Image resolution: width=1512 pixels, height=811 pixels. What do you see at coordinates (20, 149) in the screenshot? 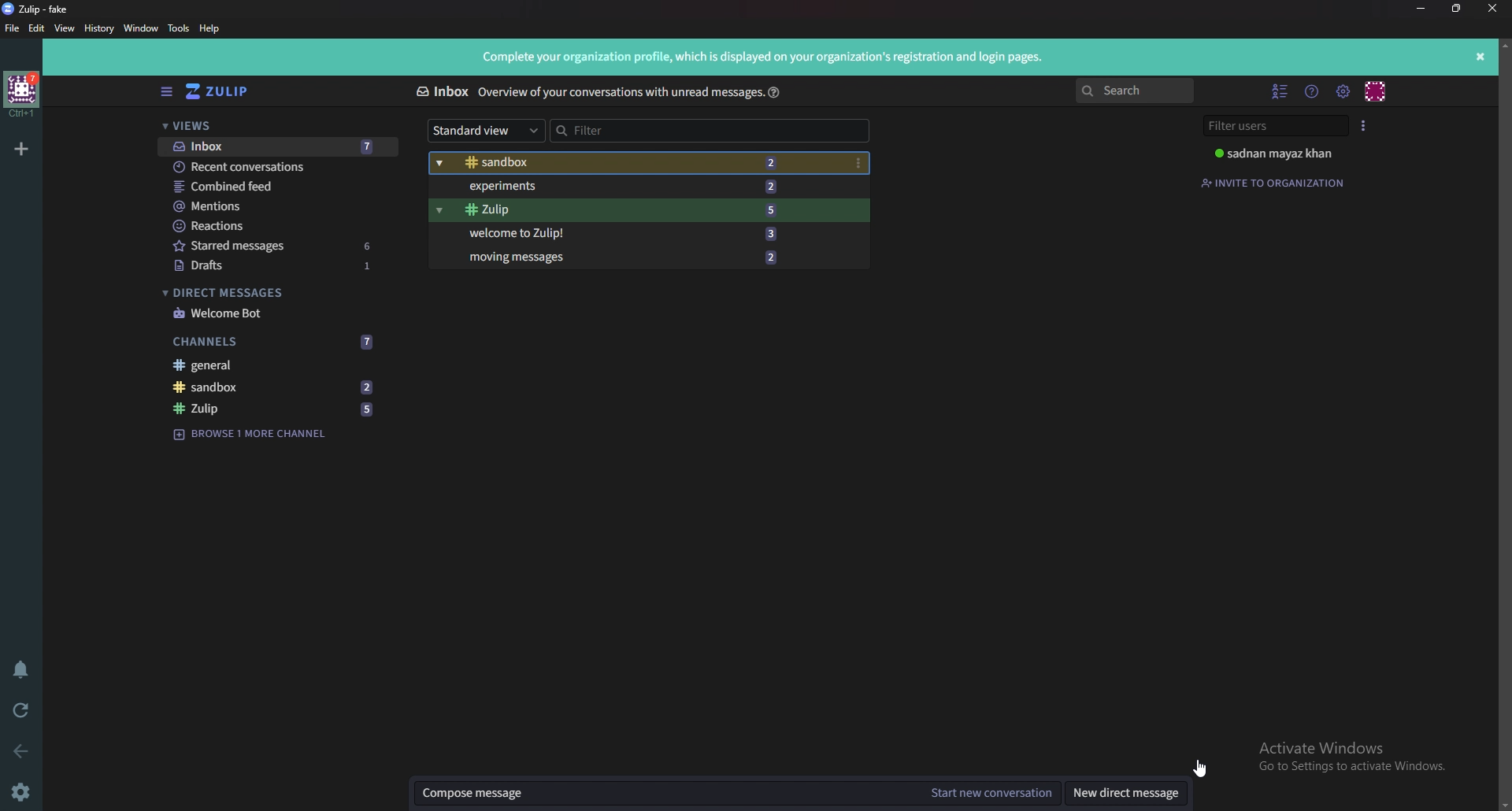
I see `Add organization` at bounding box center [20, 149].